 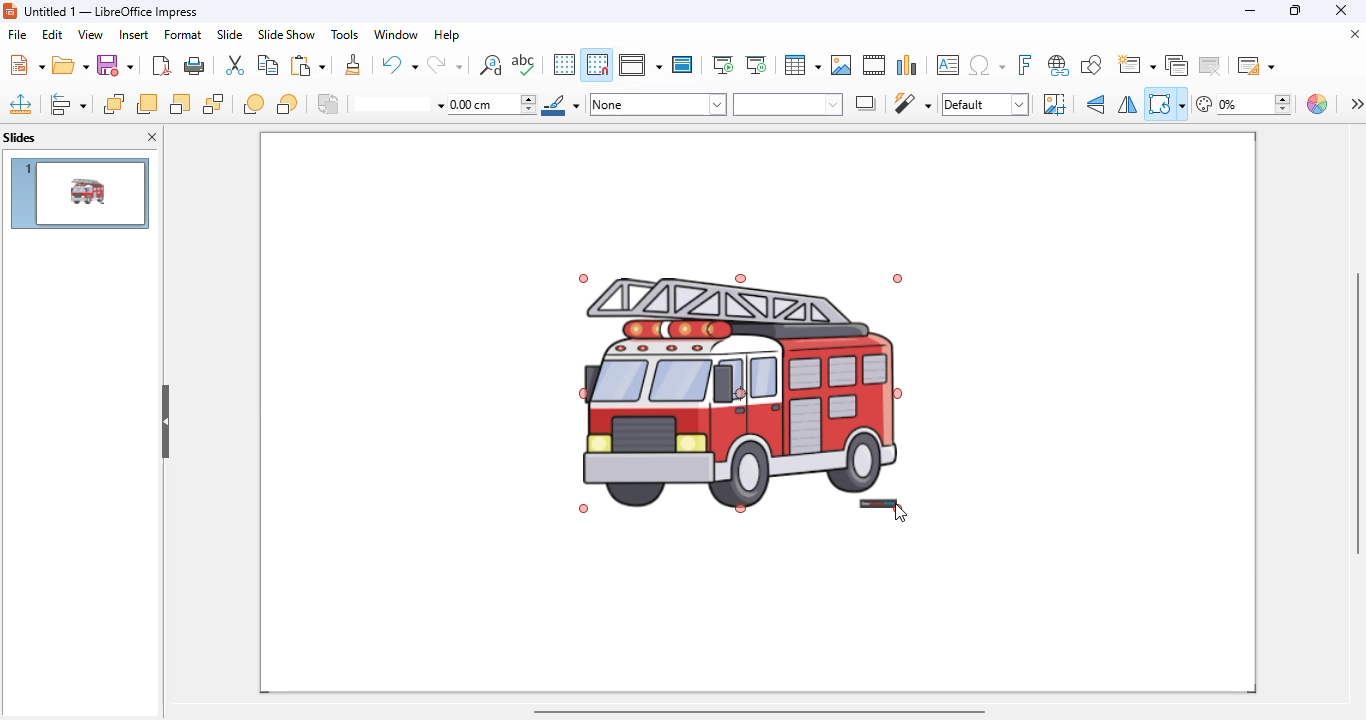 I want to click on close document, so click(x=1354, y=33).